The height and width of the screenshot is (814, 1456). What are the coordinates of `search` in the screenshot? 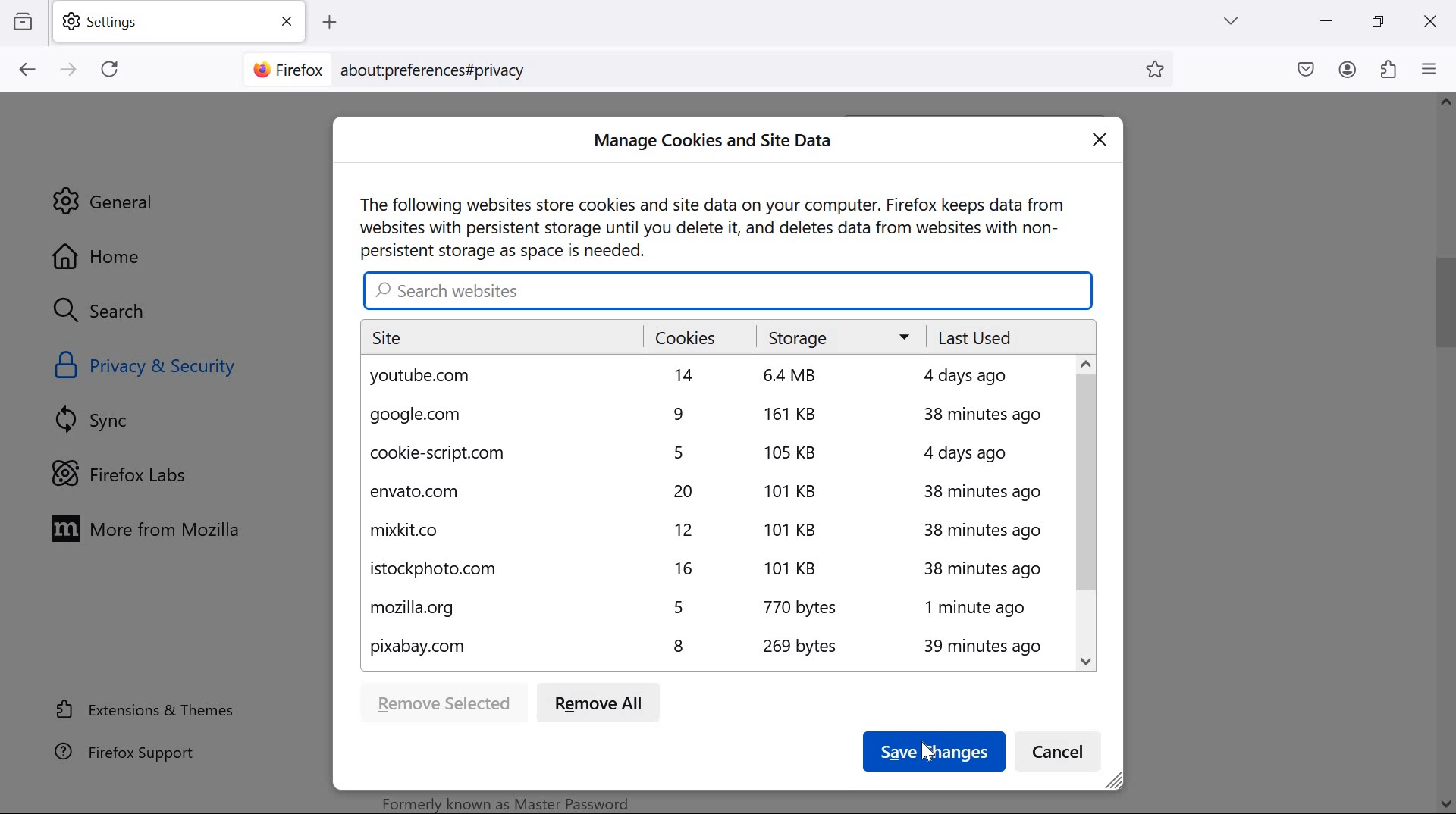 It's located at (115, 312).